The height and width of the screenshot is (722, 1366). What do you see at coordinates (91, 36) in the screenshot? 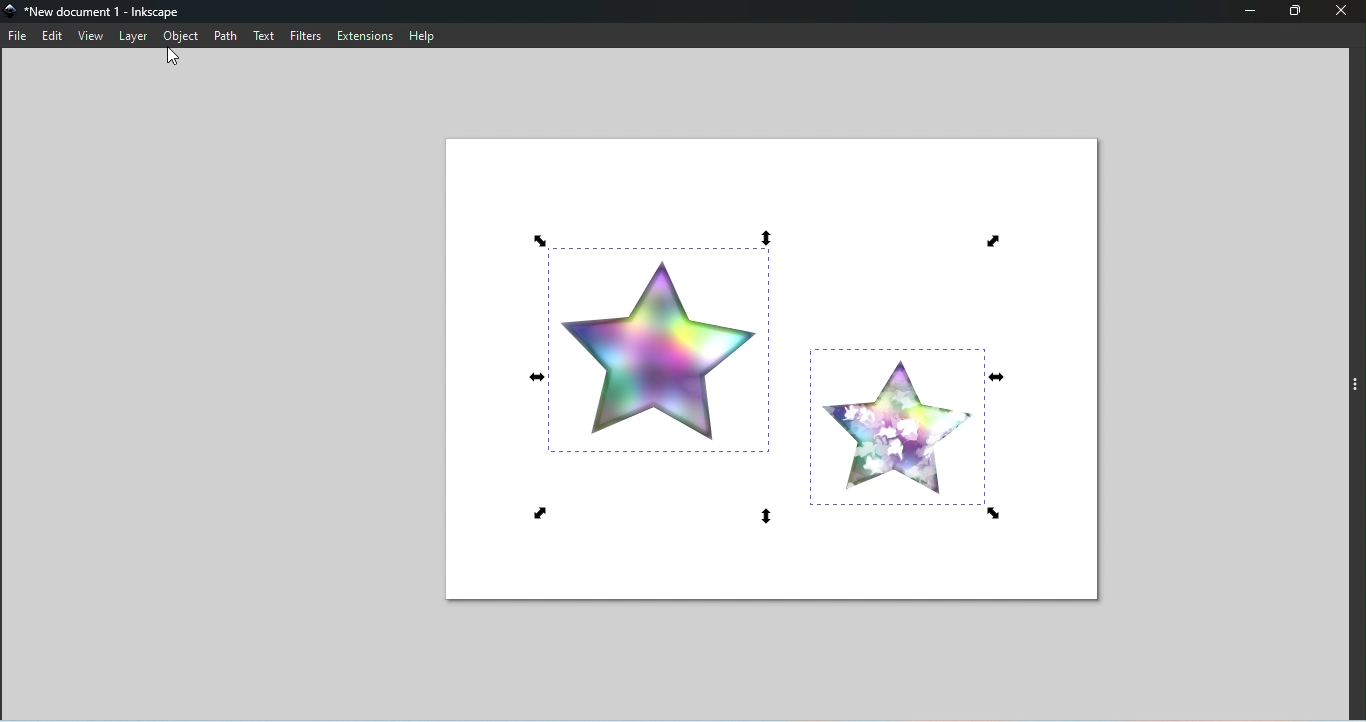
I see `View` at bounding box center [91, 36].